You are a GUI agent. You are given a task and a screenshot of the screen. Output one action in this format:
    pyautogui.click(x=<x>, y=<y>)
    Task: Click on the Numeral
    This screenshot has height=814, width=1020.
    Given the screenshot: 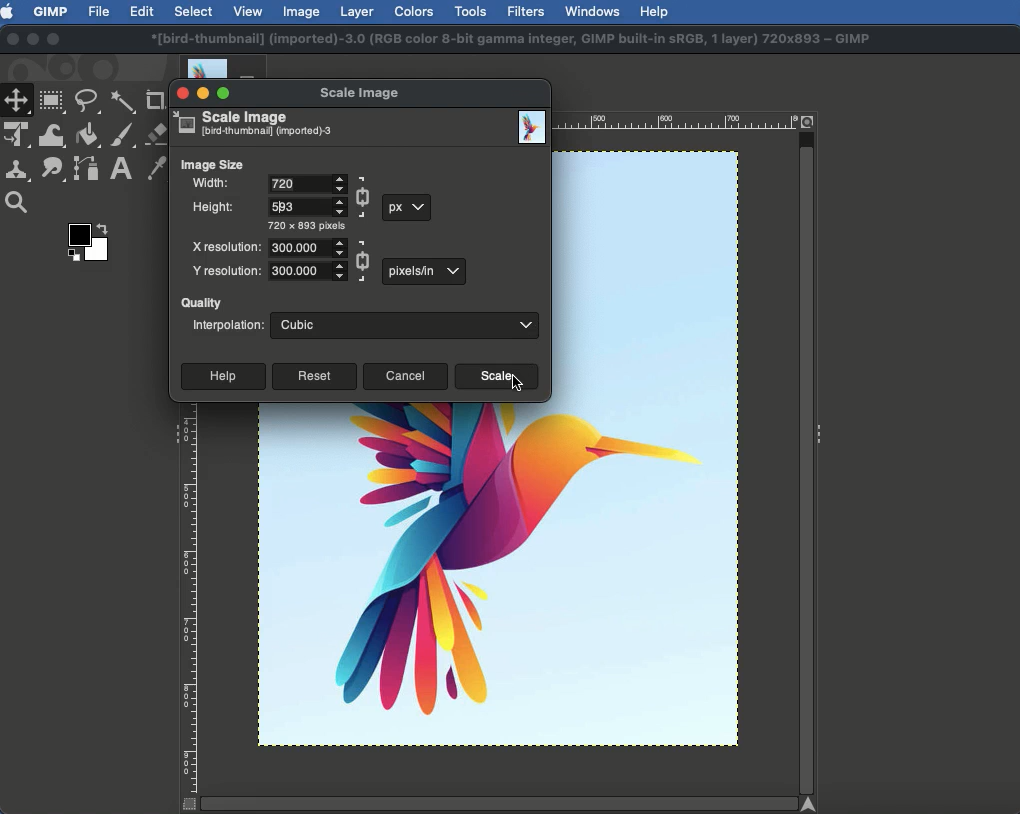 What is the action you would take?
    pyautogui.click(x=306, y=272)
    